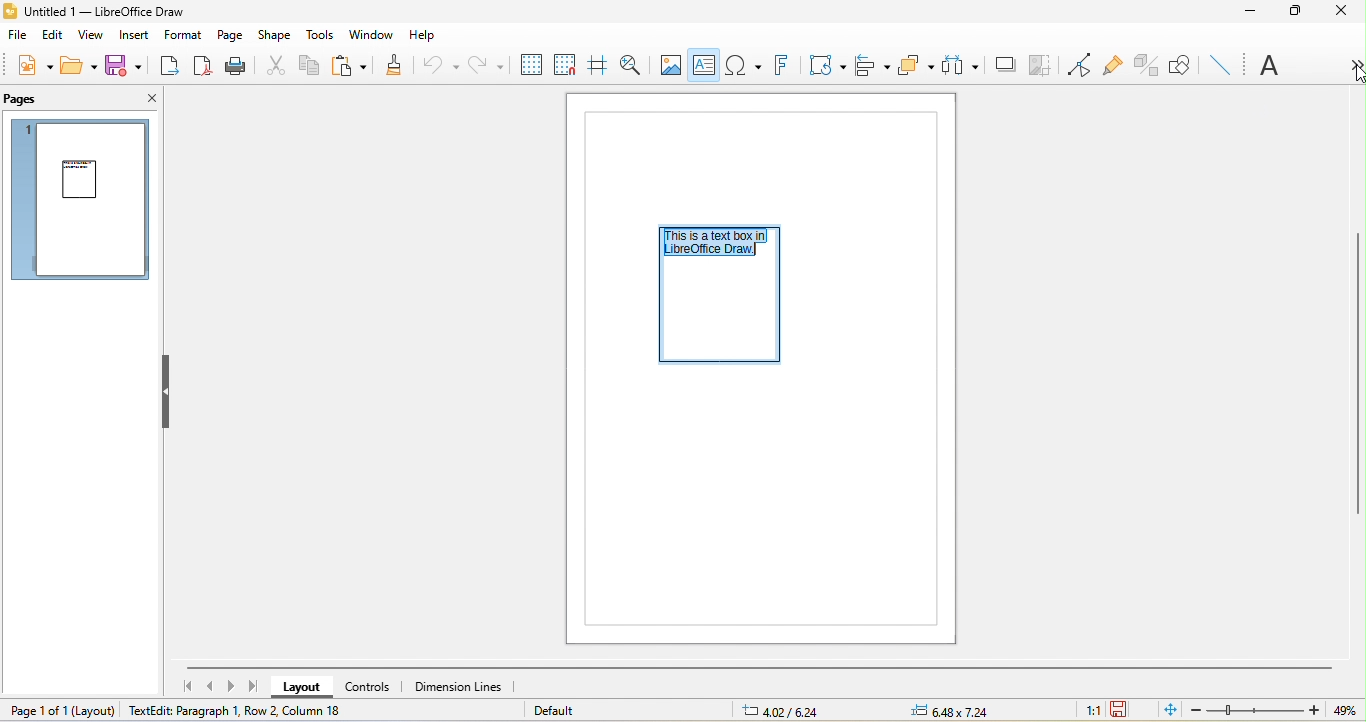 This screenshot has width=1366, height=722. What do you see at coordinates (915, 65) in the screenshot?
I see `arrange` at bounding box center [915, 65].